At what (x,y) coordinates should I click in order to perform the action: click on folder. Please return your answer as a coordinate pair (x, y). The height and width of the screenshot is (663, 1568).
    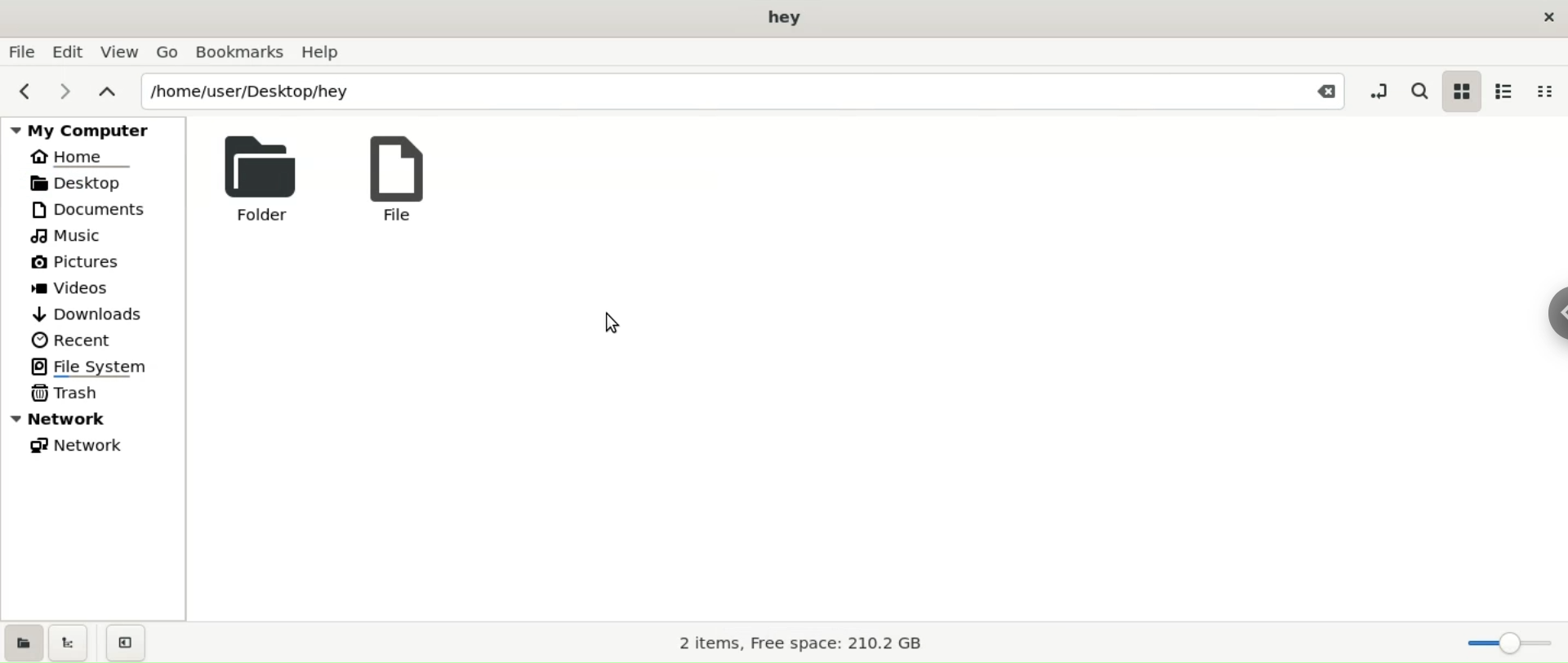
    Looking at the image, I should click on (262, 180).